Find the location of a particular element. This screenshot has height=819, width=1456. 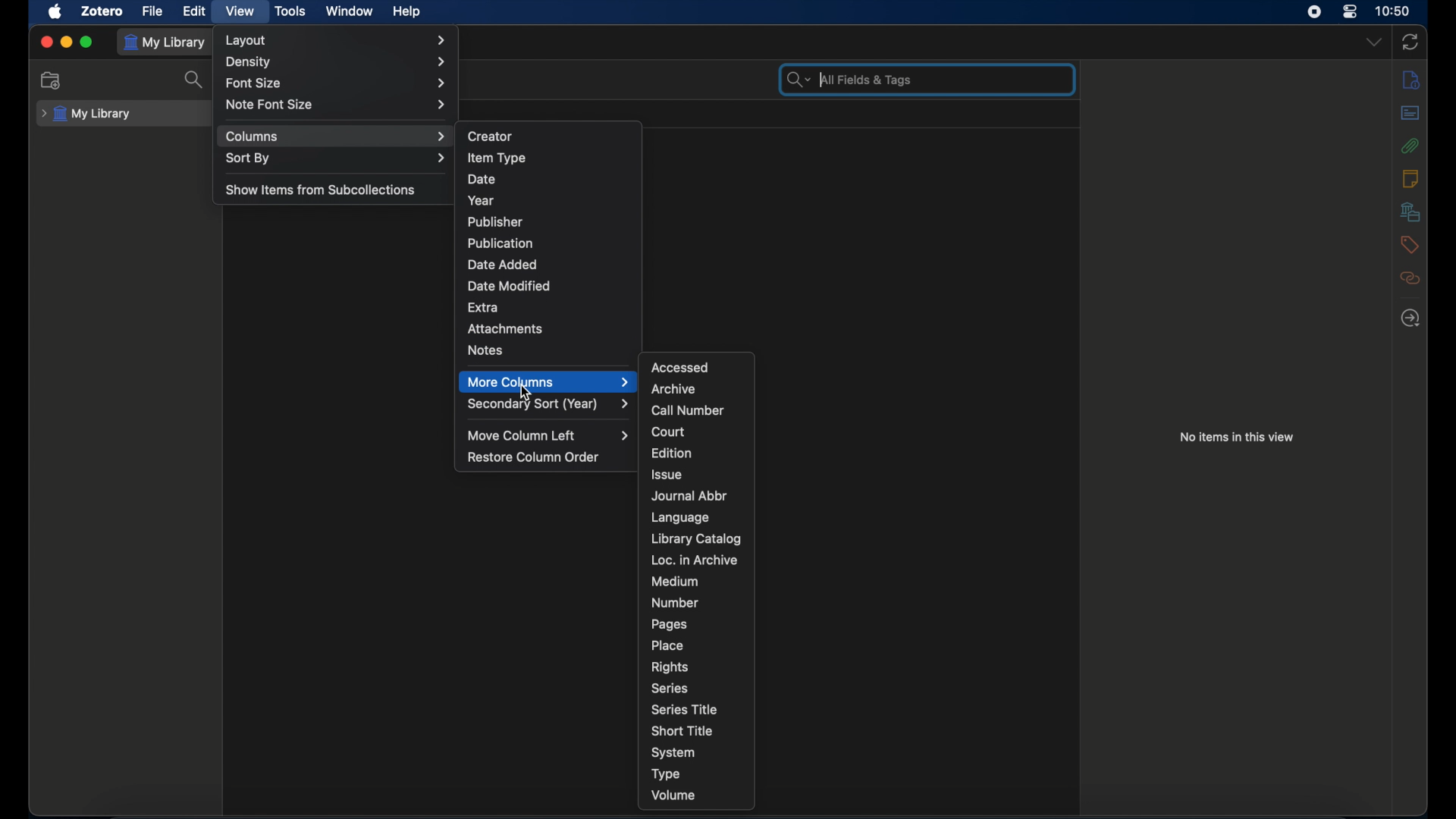

call number is located at coordinates (691, 410).